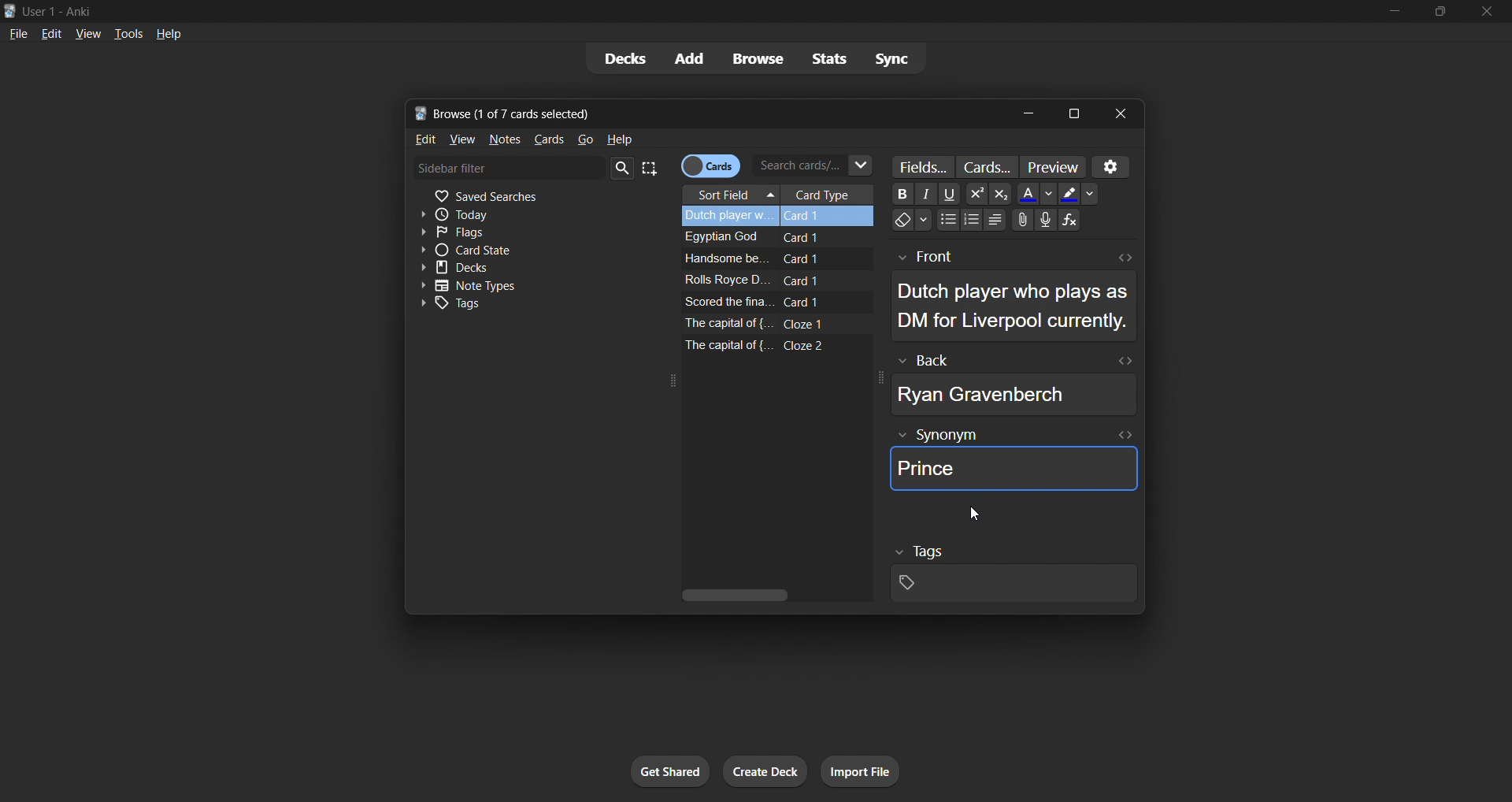 The width and height of the screenshot is (1512, 802). What do you see at coordinates (50, 33) in the screenshot?
I see `edit` at bounding box center [50, 33].